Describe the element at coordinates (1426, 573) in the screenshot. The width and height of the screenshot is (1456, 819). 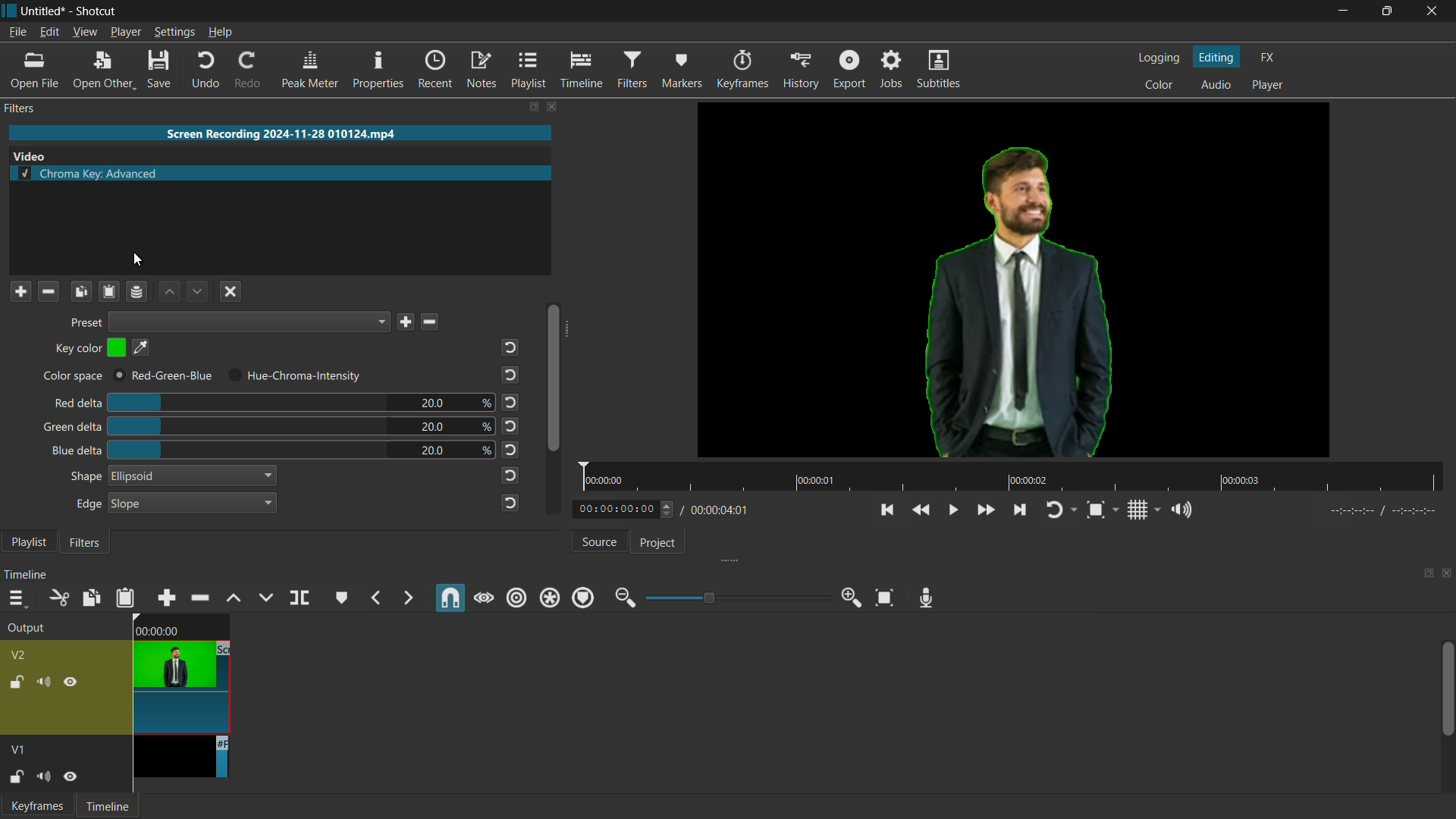
I see `change layout` at that location.